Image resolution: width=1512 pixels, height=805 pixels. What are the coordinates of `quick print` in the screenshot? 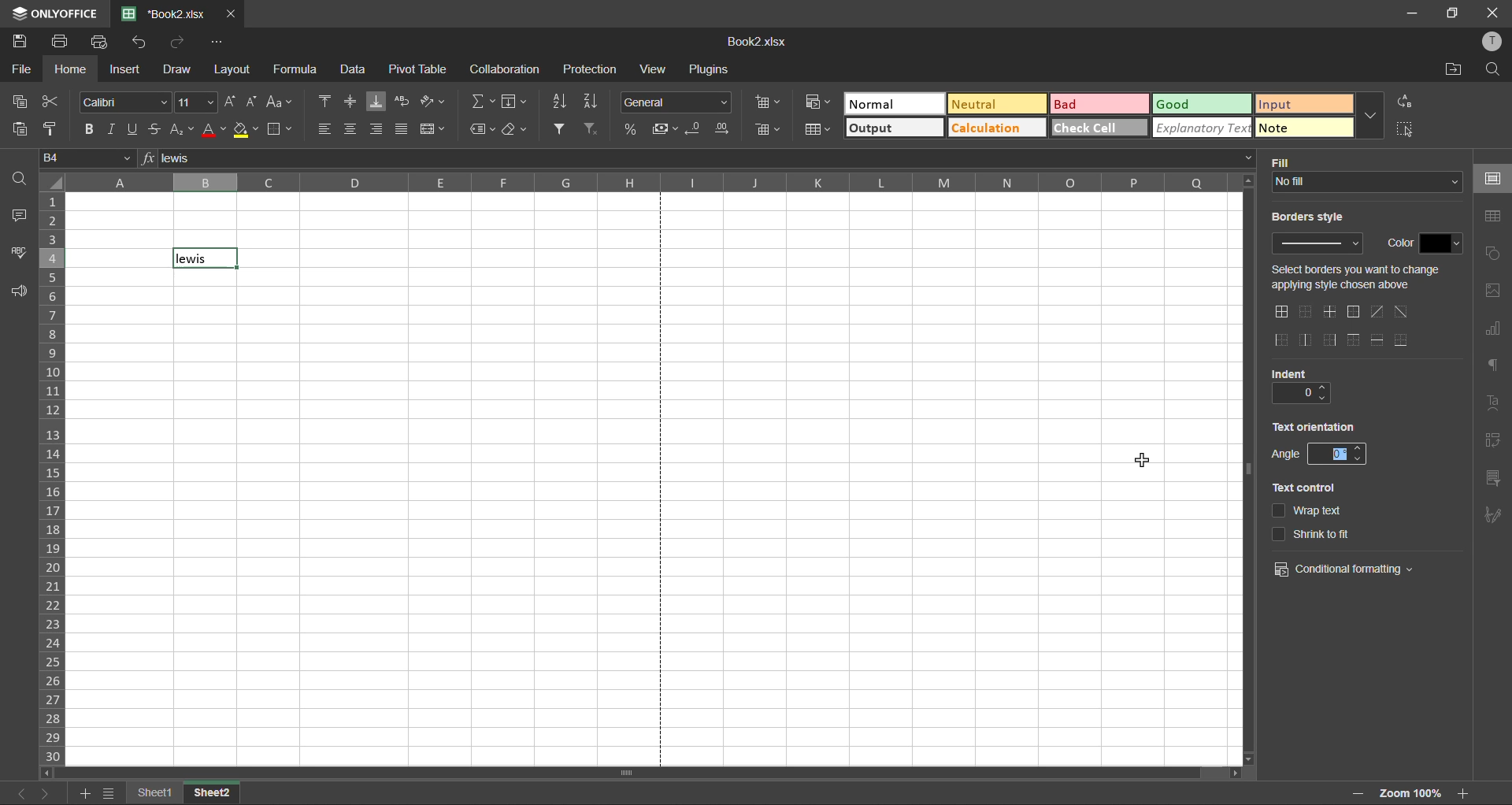 It's located at (98, 41).